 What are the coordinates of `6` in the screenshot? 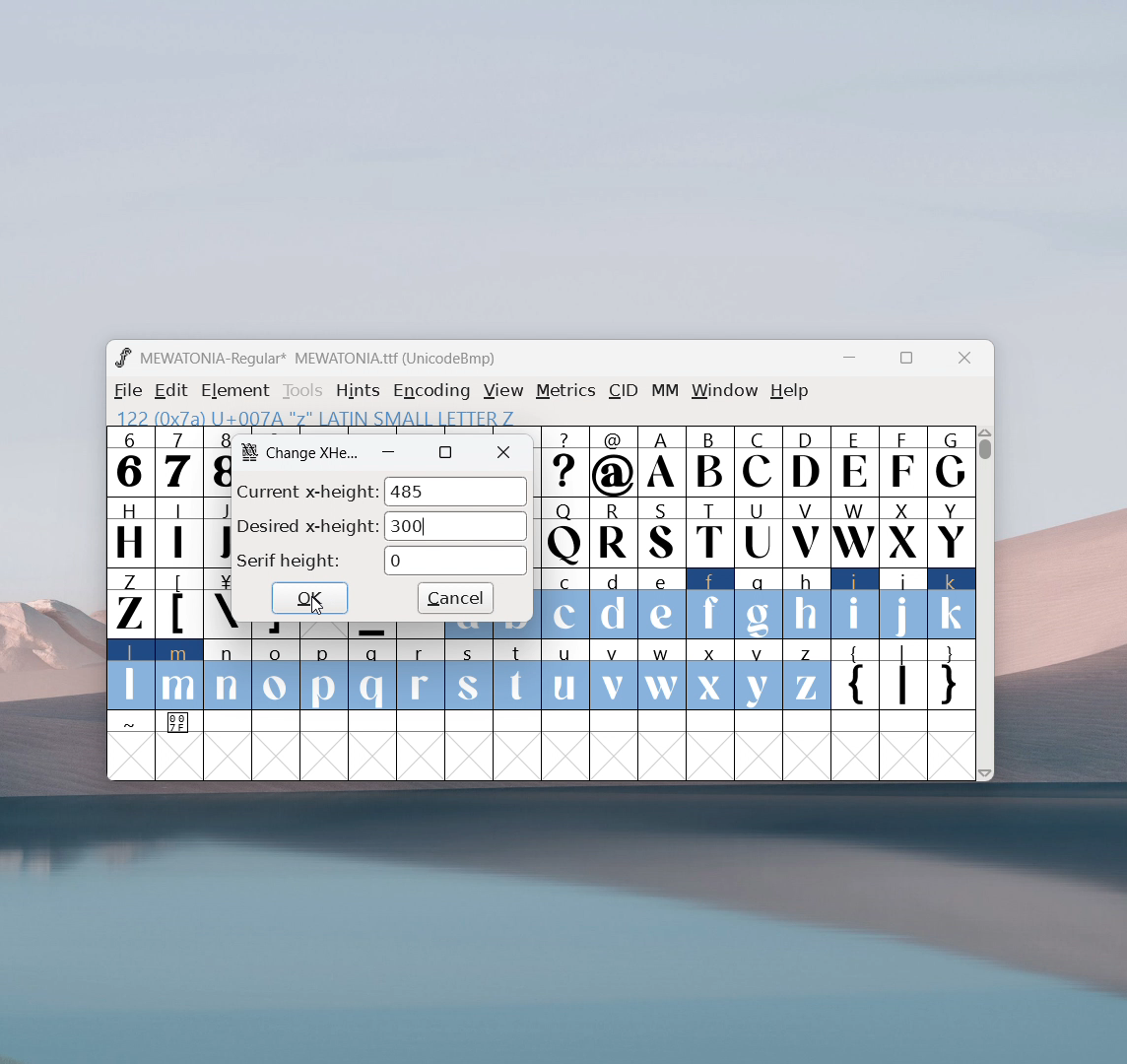 It's located at (130, 461).